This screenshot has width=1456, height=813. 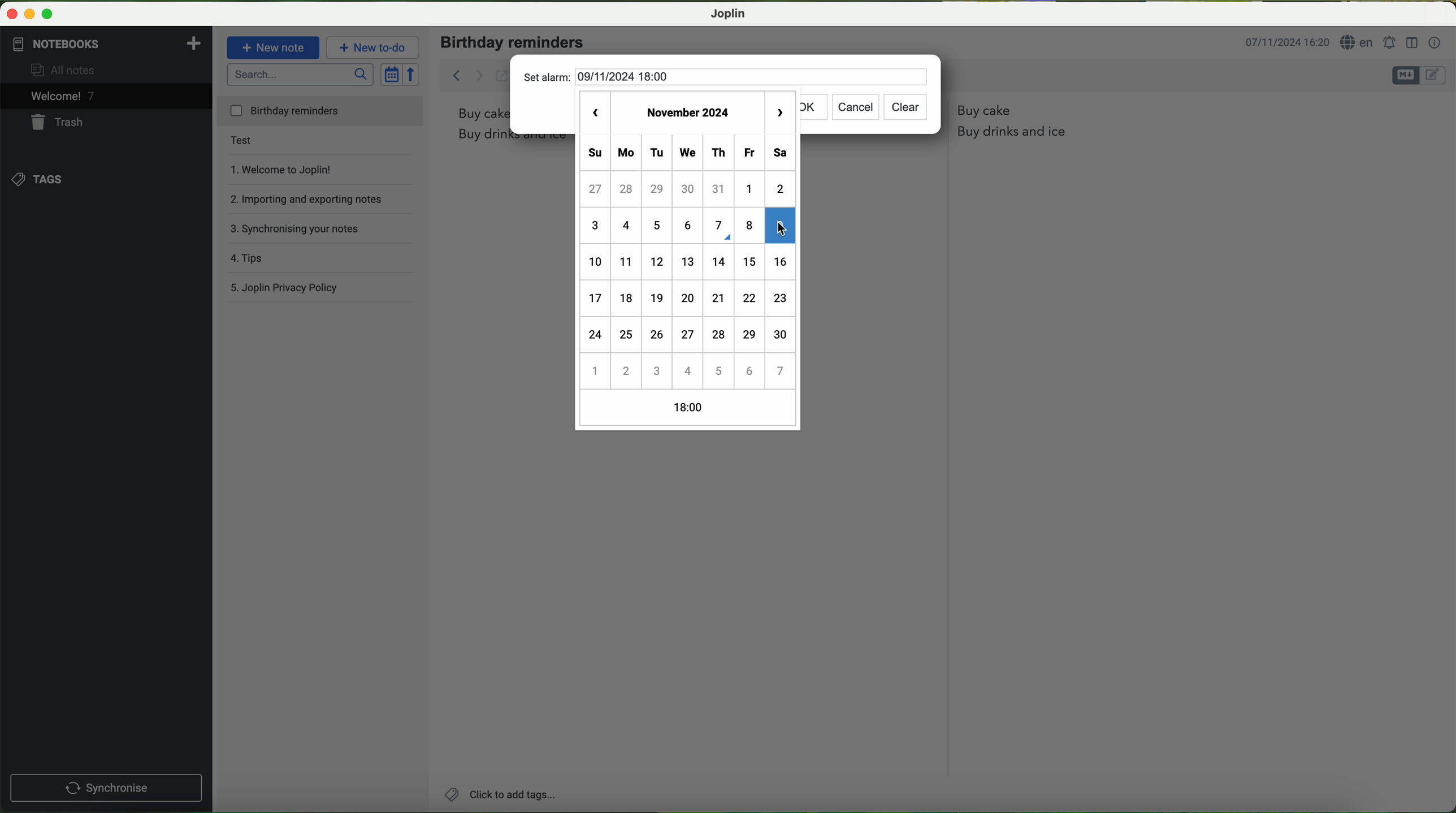 I want to click on welcome 6, so click(x=64, y=97).